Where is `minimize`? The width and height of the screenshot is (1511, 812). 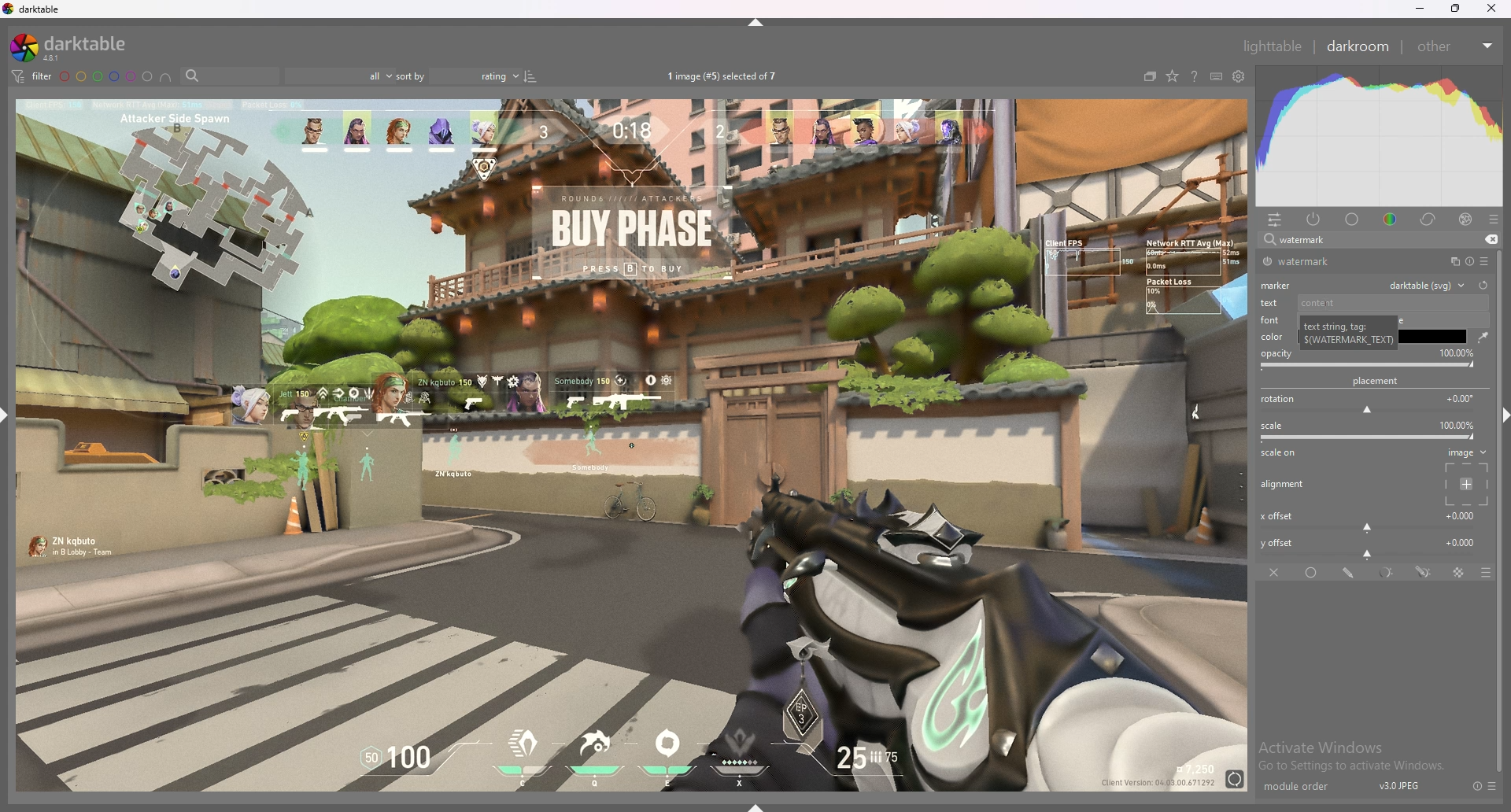 minimize is located at coordinates (1420, 9).